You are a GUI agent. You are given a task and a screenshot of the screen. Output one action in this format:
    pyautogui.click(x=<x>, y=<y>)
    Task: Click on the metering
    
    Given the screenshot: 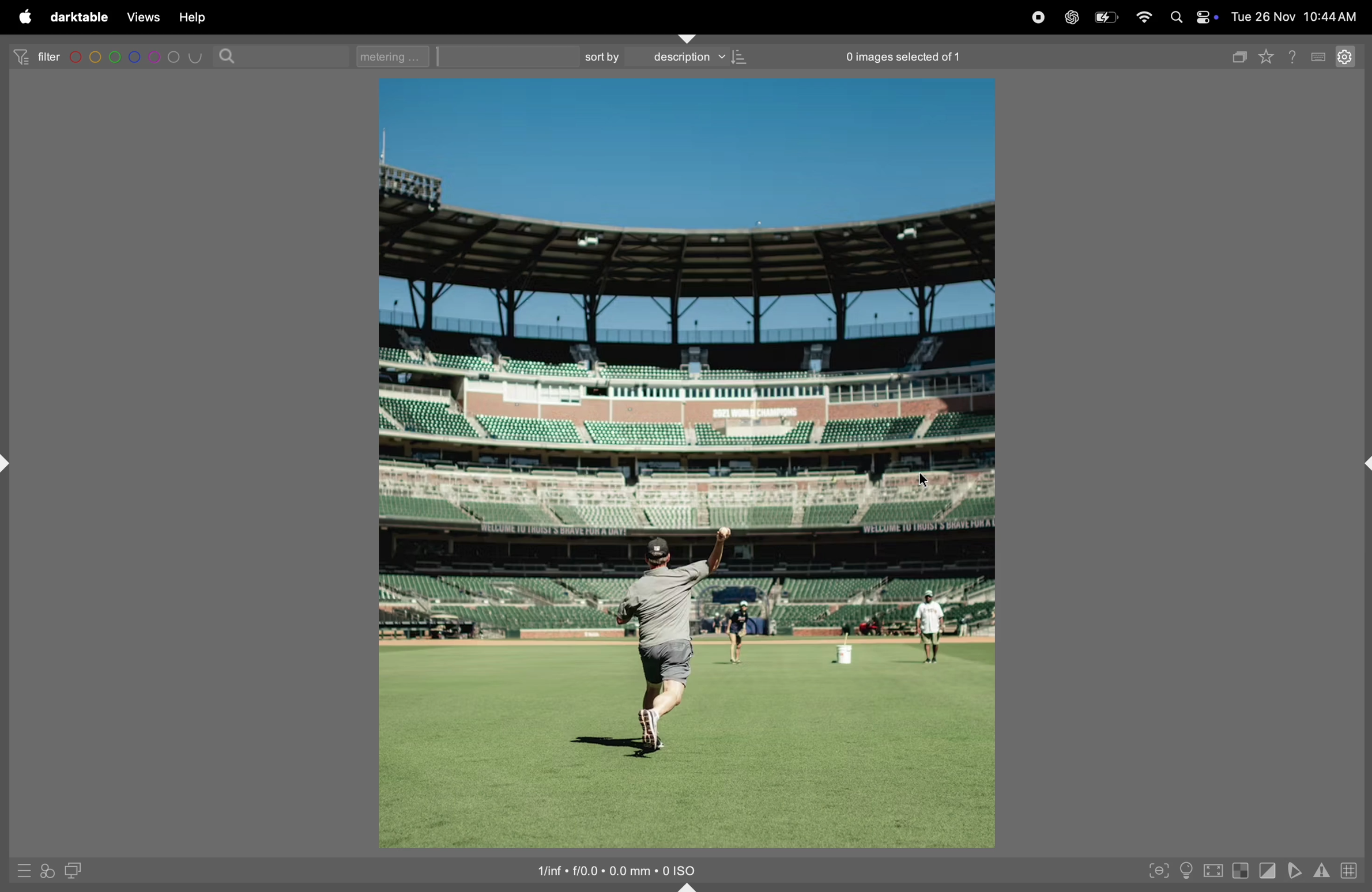 What is the action you would take?
    pyautogui.click(x=404, y=55)
    